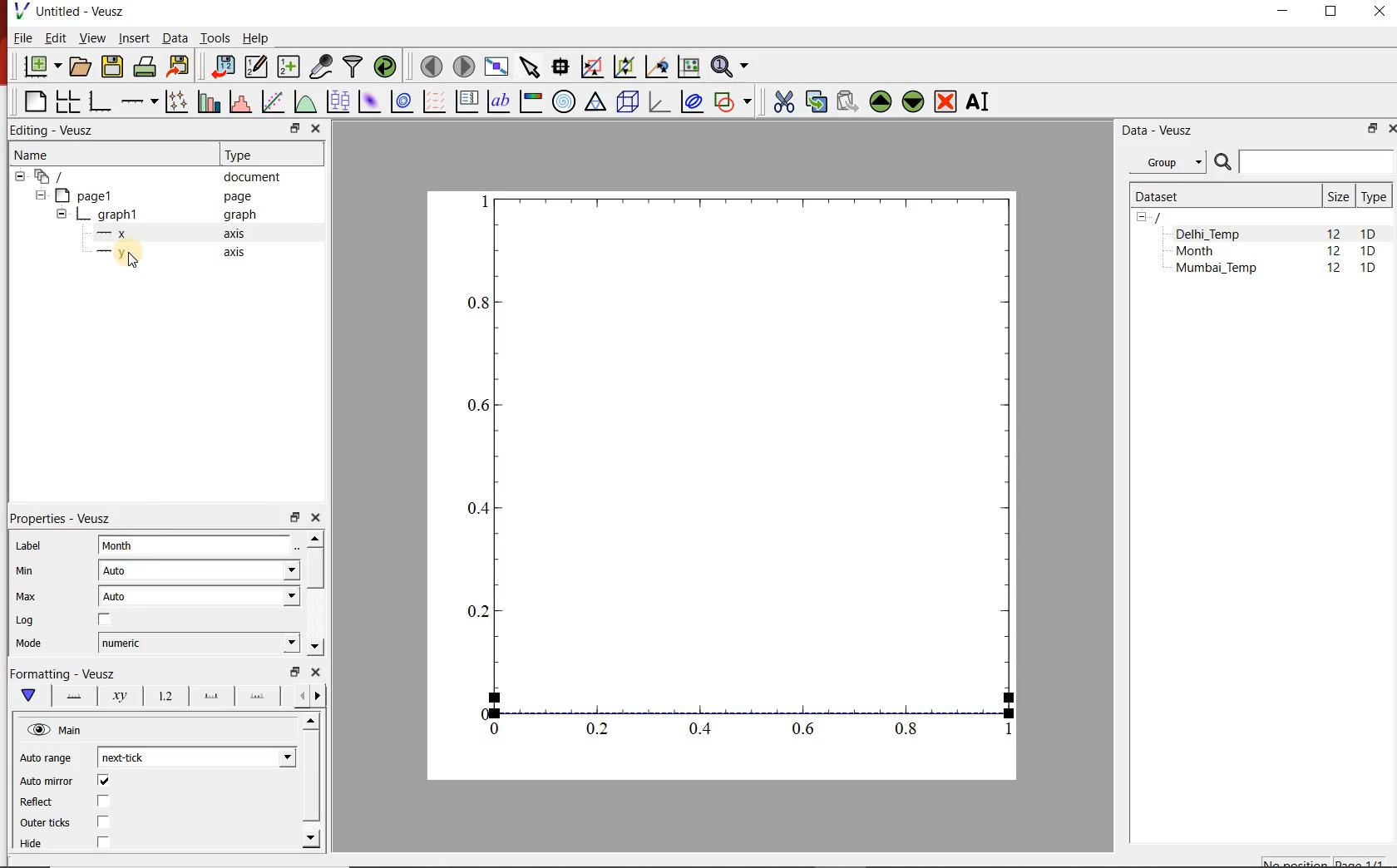 This screenshot has height=868, width=1397. Describe the element at coordinates (624, 67) in the screenshot. I see `click to zoom out of graph axes` at that location.